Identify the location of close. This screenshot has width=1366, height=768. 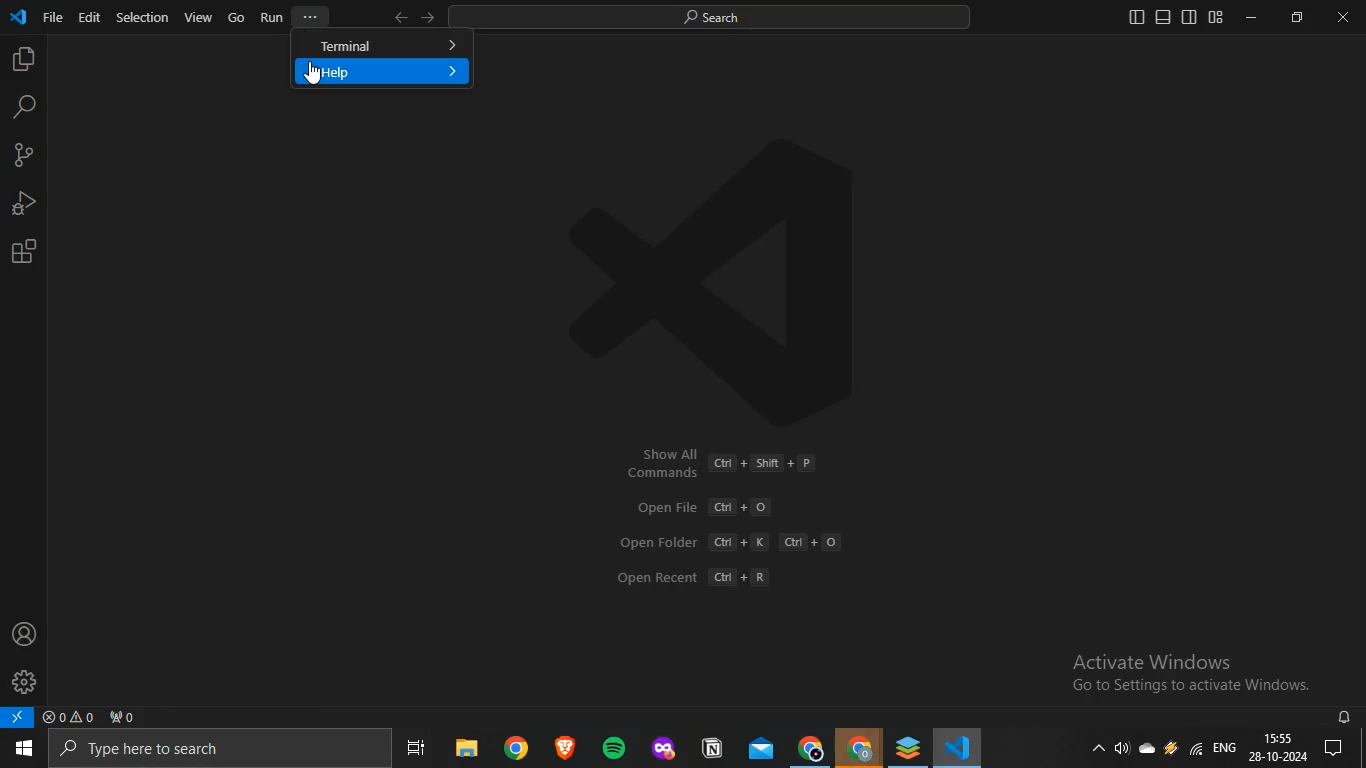
(1343, 17).